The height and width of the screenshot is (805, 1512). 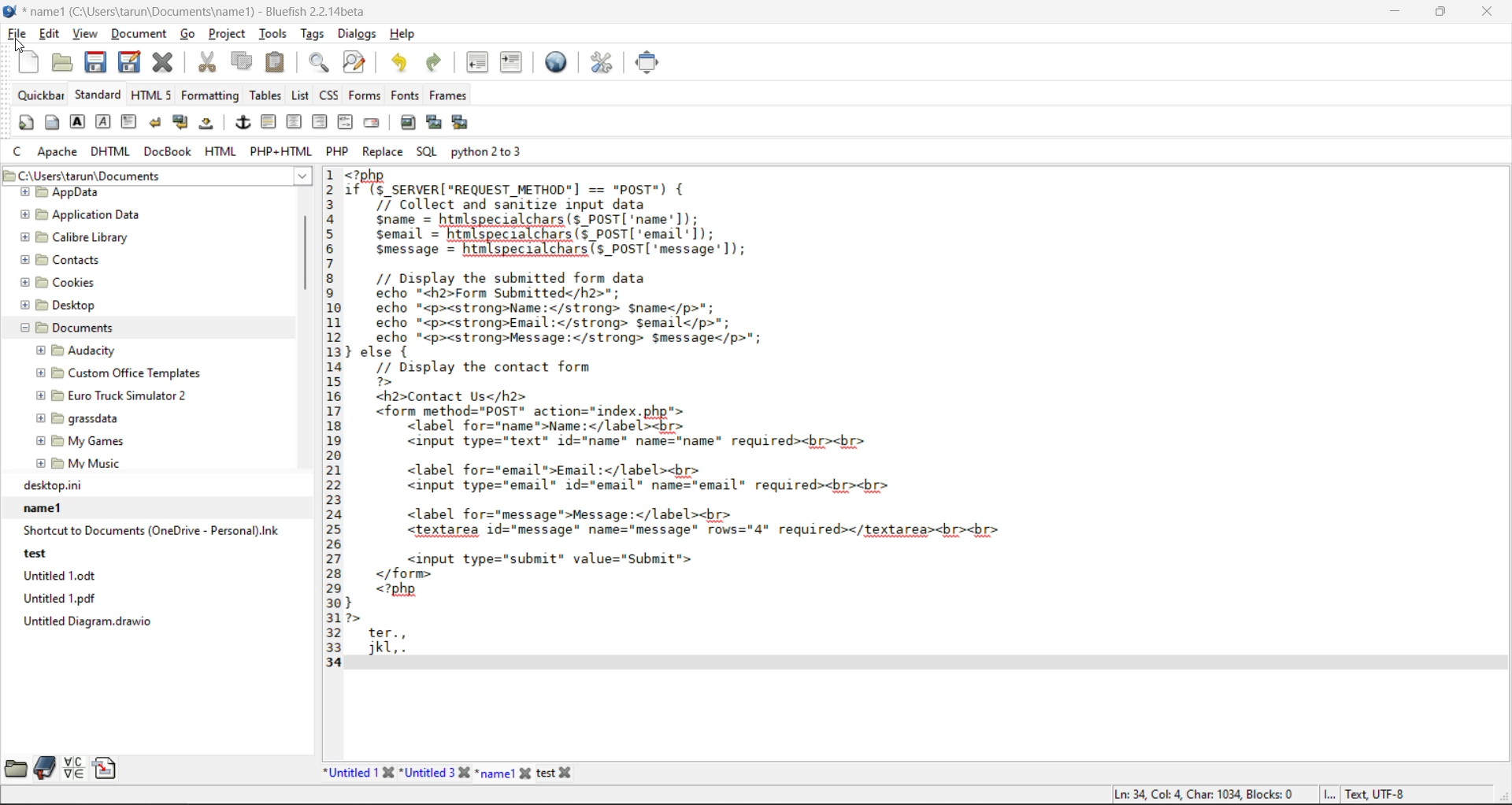 I want to click on html, so click(x=220, y=153).